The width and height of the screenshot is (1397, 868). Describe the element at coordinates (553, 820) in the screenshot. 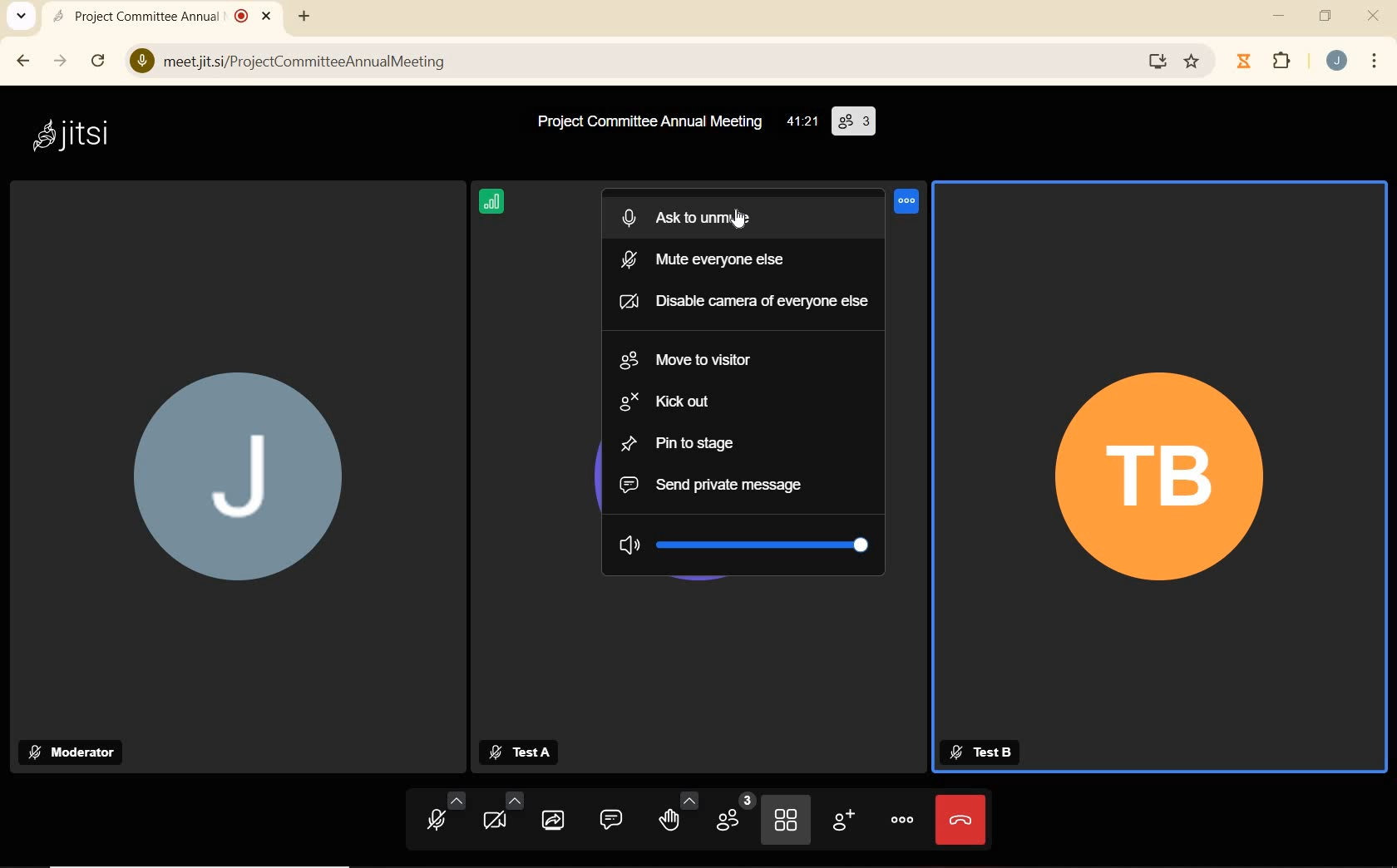

I see `START SCREEN SHARING` at that location.